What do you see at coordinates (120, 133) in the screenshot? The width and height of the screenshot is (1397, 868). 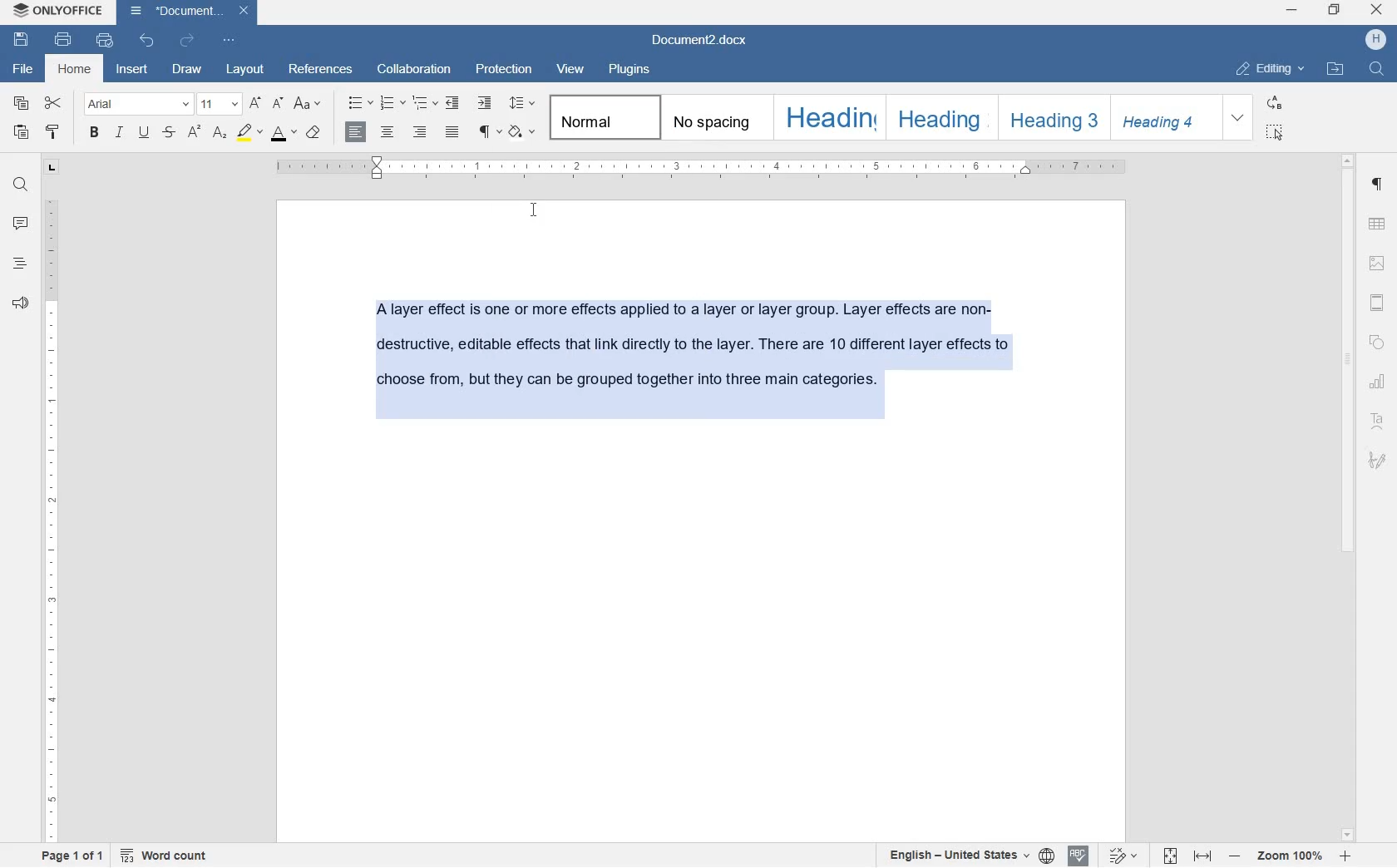 I see `italic` at bounding box center [120, 133].